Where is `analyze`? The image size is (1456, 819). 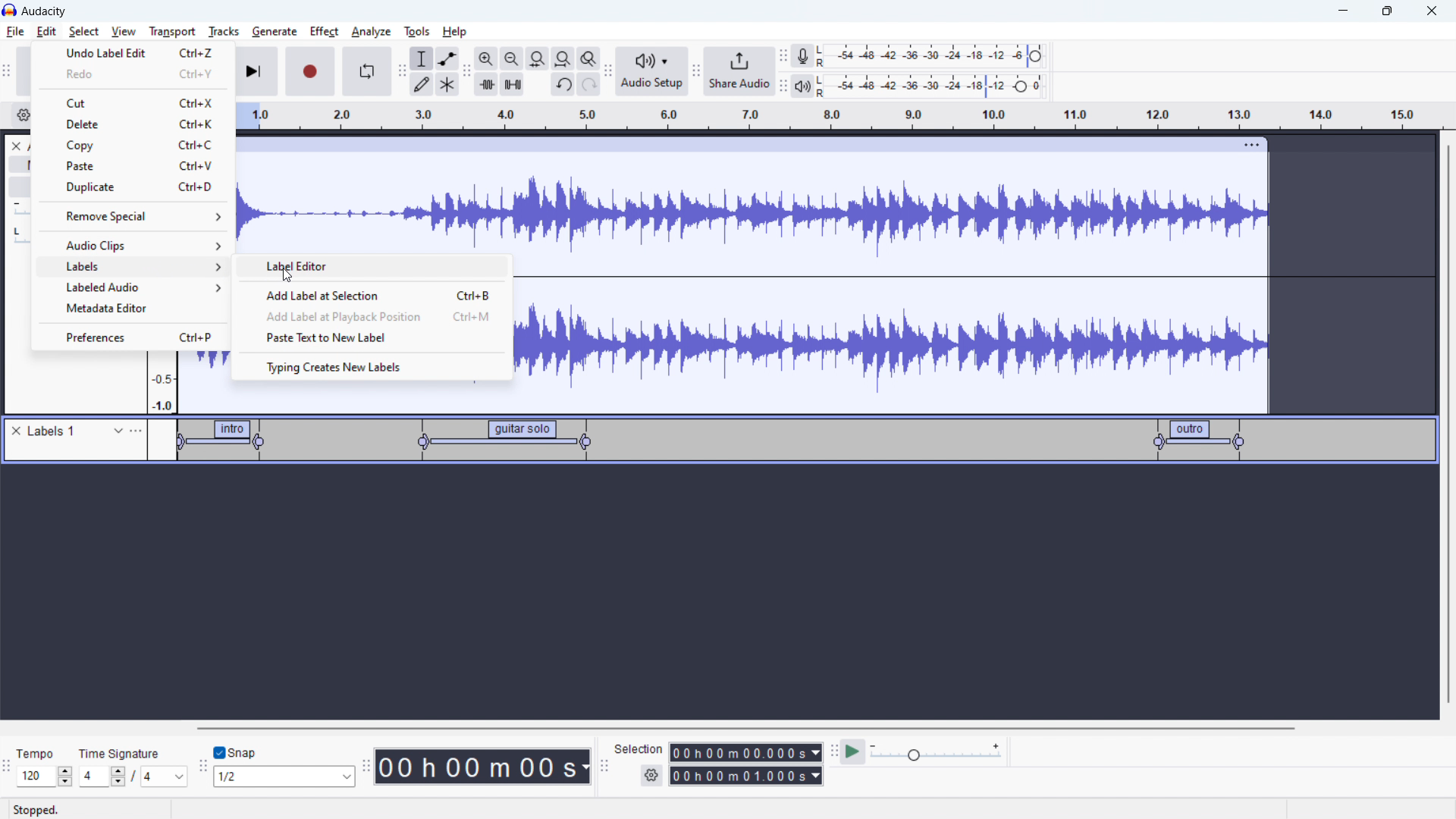 analyze is located at coordinates (369, 33).